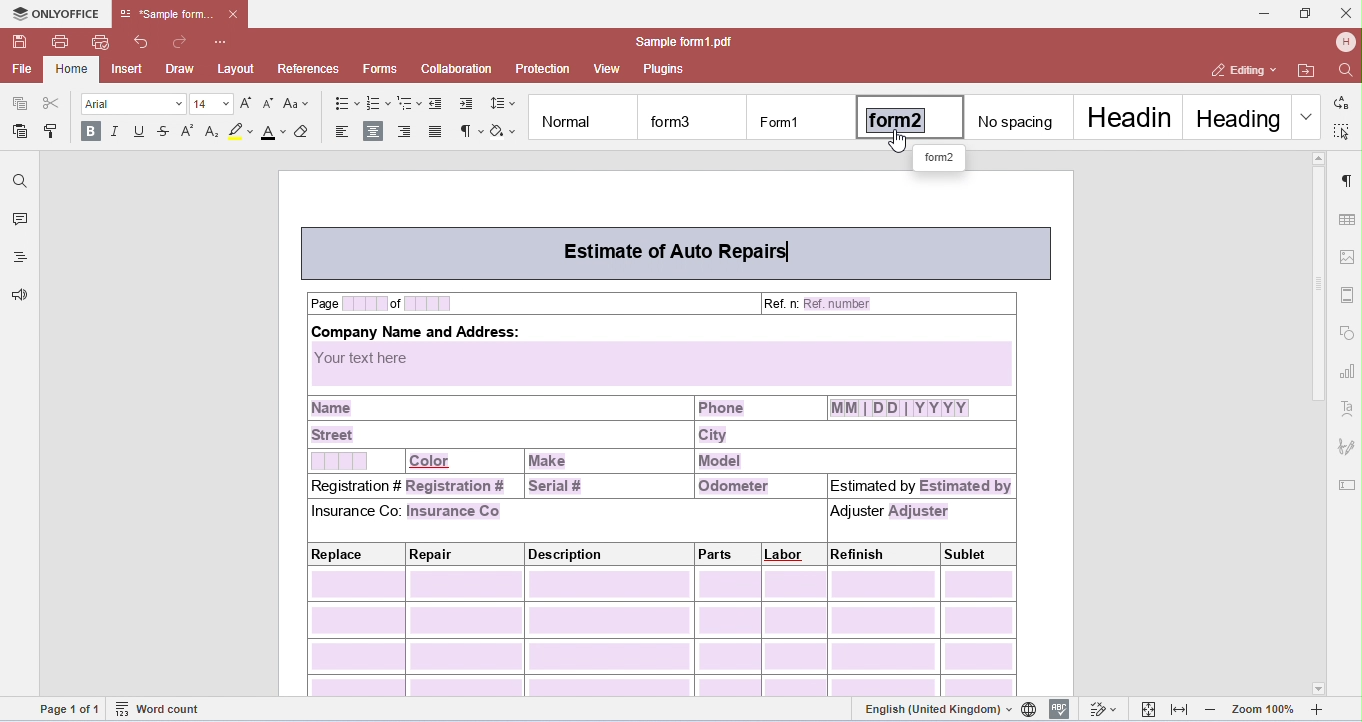 The height and width of the screenshot is (722, 1362). Describe the element at coordinates (20, 182) in the screenshot. I see `find` at that location.